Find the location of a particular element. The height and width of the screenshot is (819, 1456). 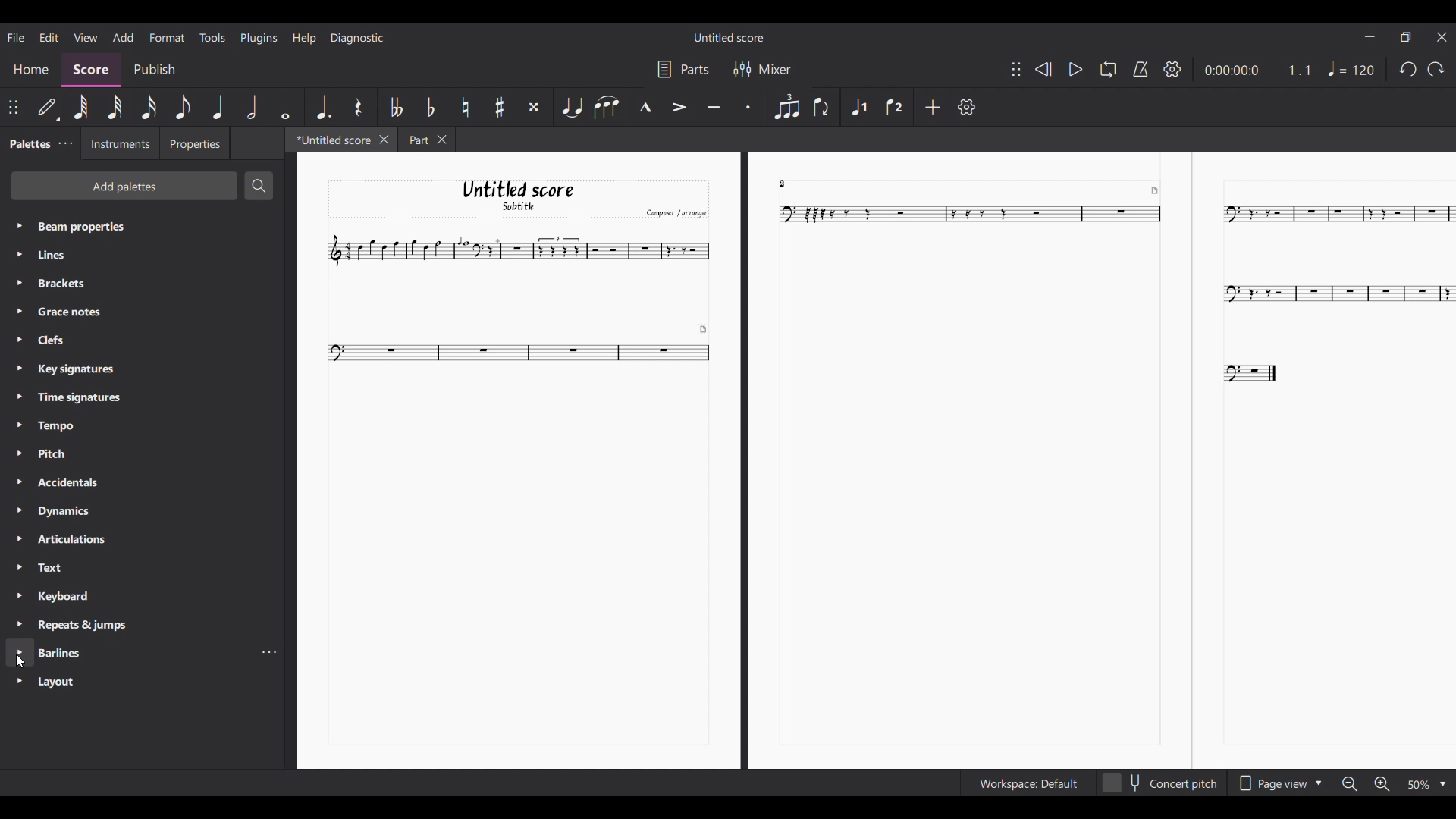

Palette settings is located at coordinates (50, 653).